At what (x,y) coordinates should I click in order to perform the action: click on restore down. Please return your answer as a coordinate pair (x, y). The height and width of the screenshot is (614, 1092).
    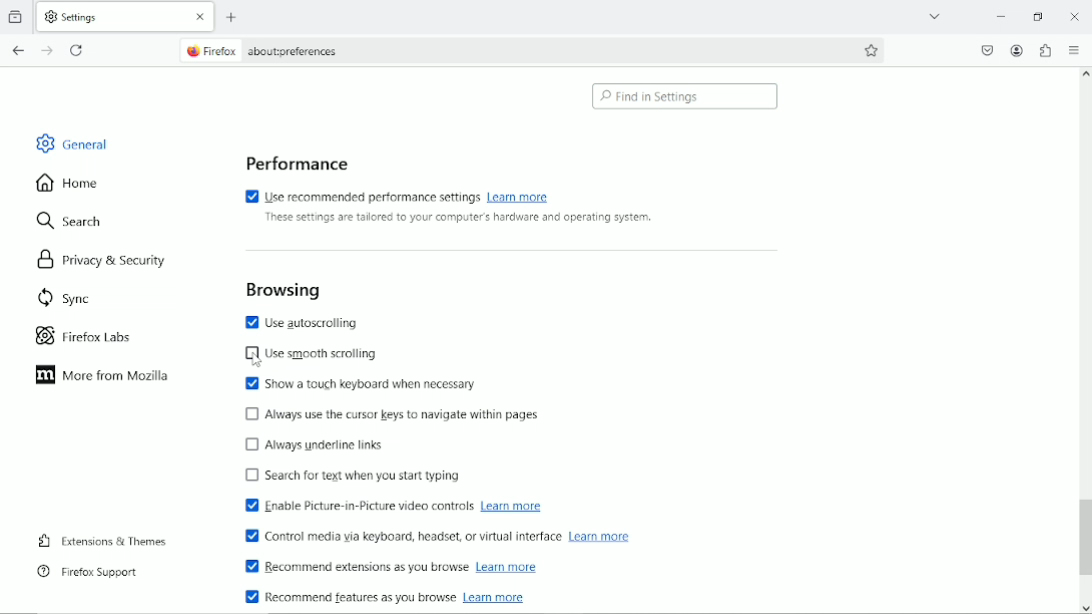
    Looking at the image, I should click on (1040, 15).